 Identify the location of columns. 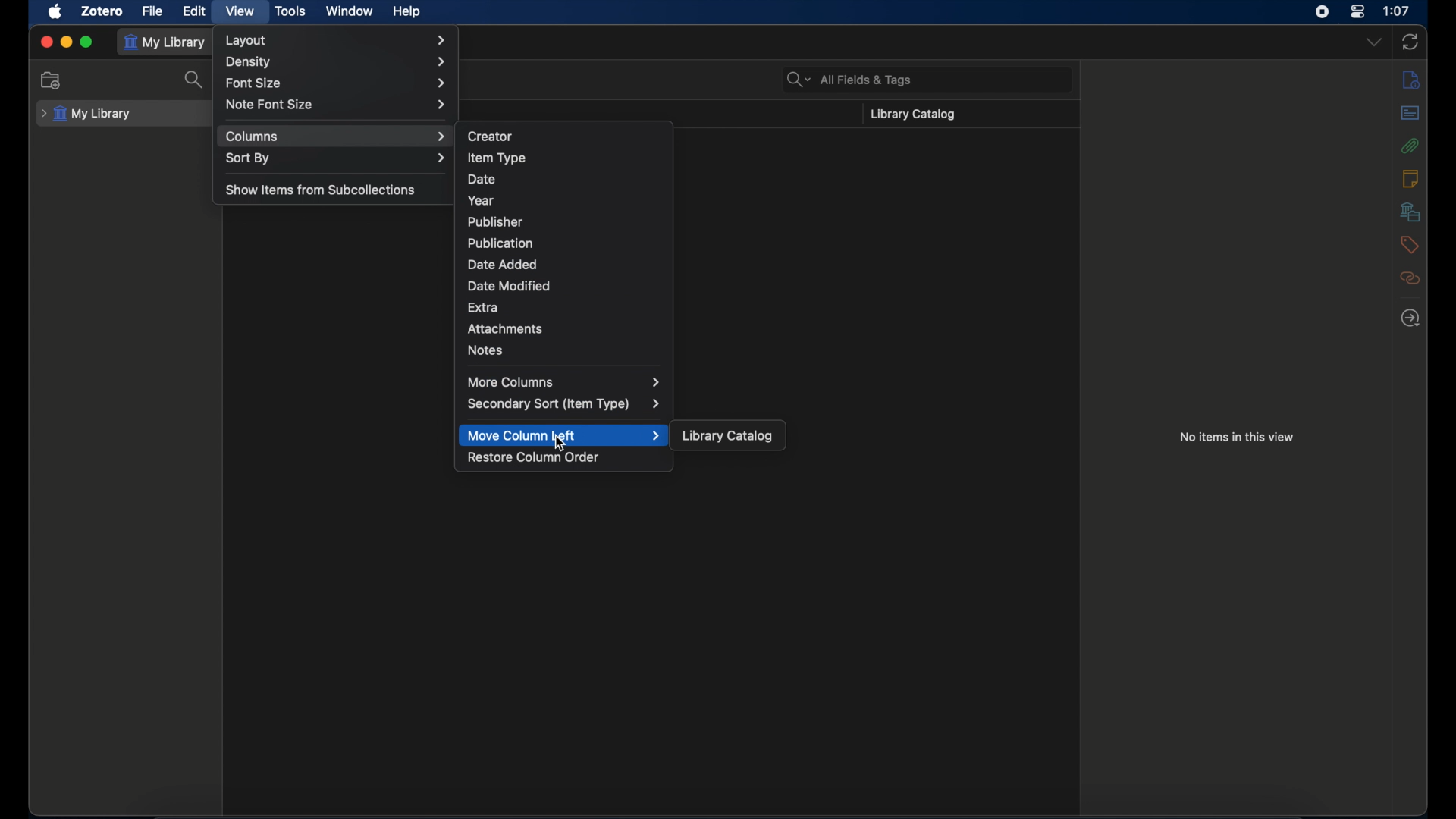
(336, 137).